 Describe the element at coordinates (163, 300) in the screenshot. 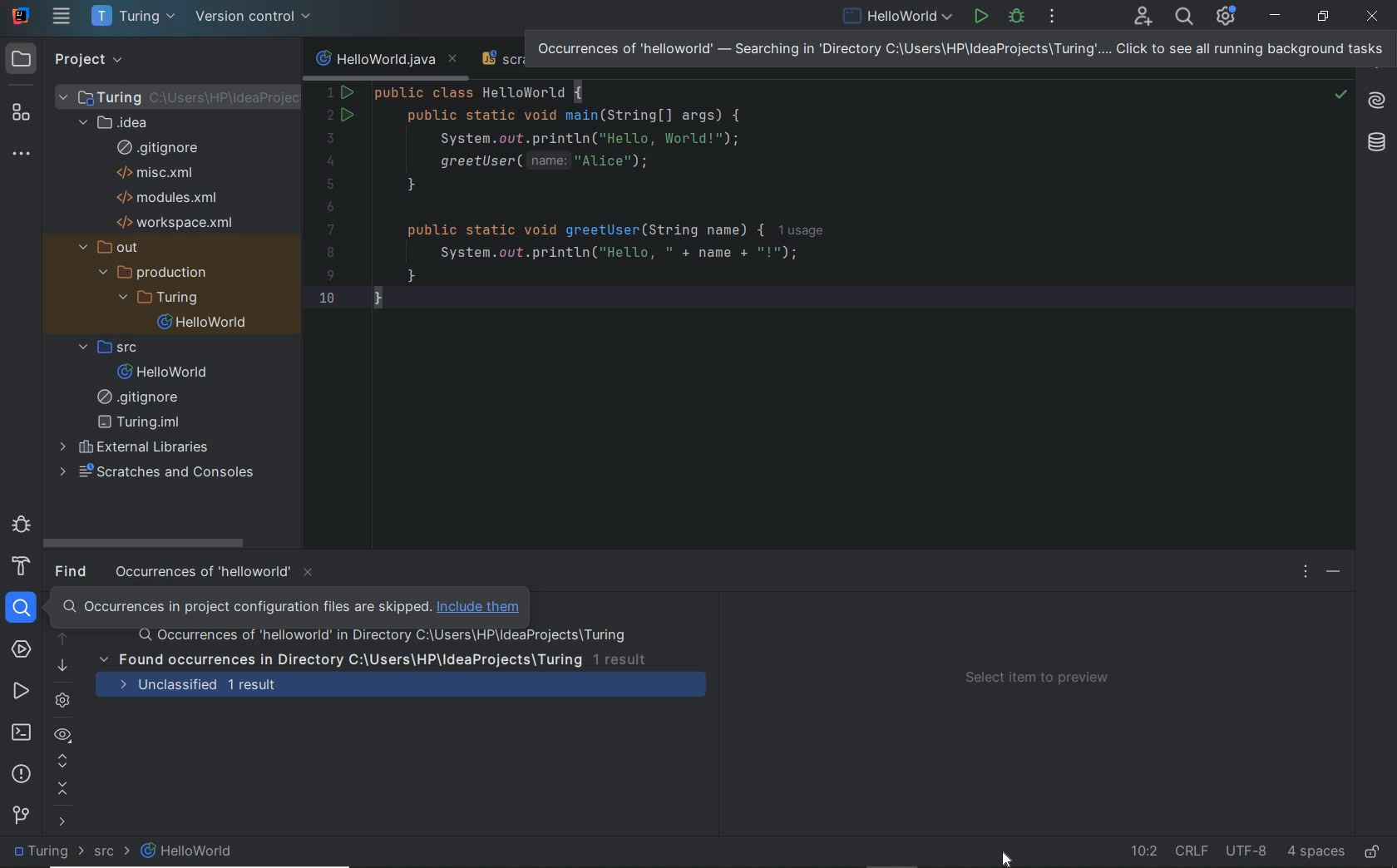

I see `project folder` at that location.